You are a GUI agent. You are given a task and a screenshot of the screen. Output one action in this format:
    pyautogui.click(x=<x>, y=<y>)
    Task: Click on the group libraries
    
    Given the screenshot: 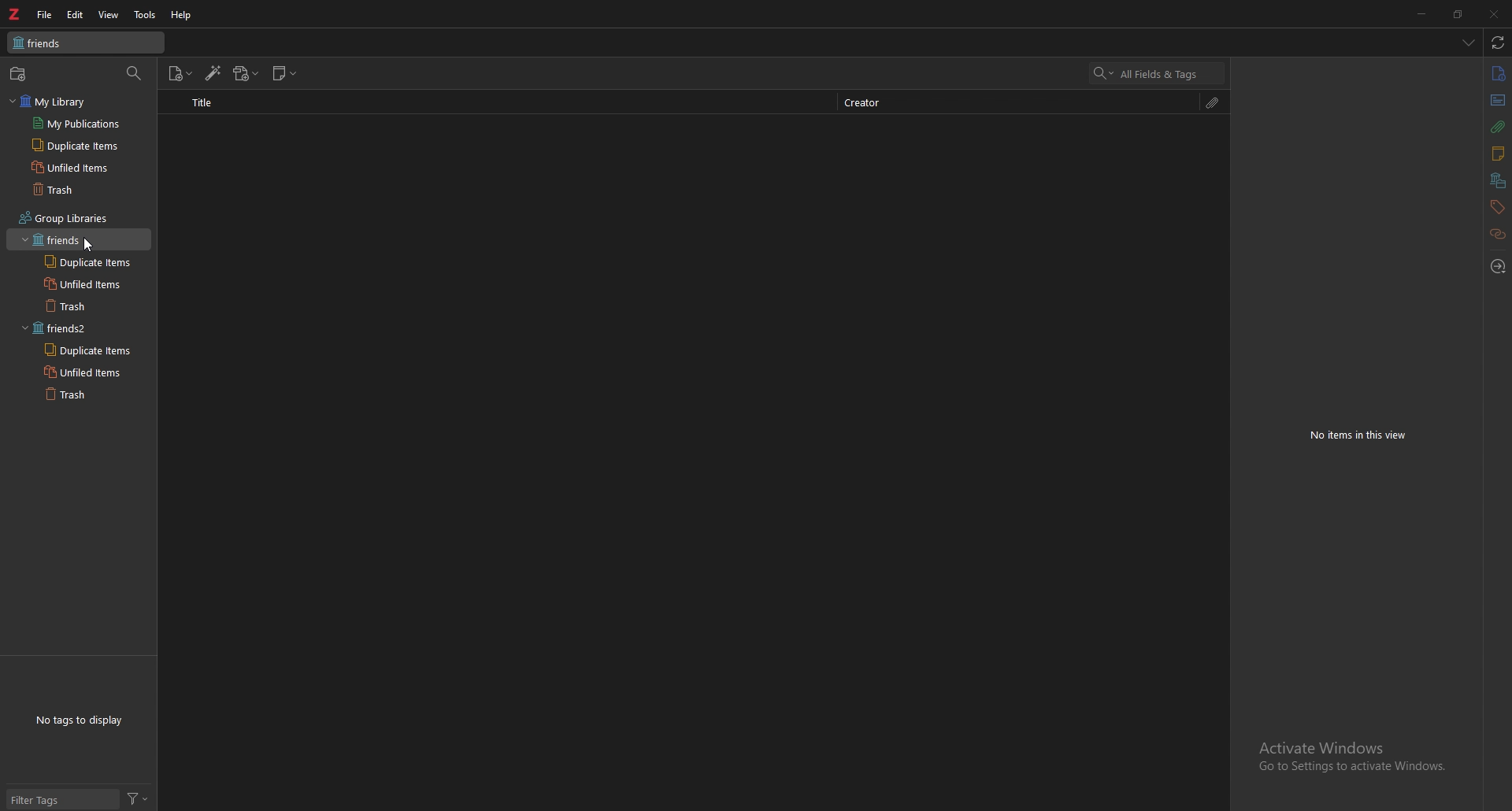 What is the action you would take?
    pyautogui.click(x=76, y=217)
    